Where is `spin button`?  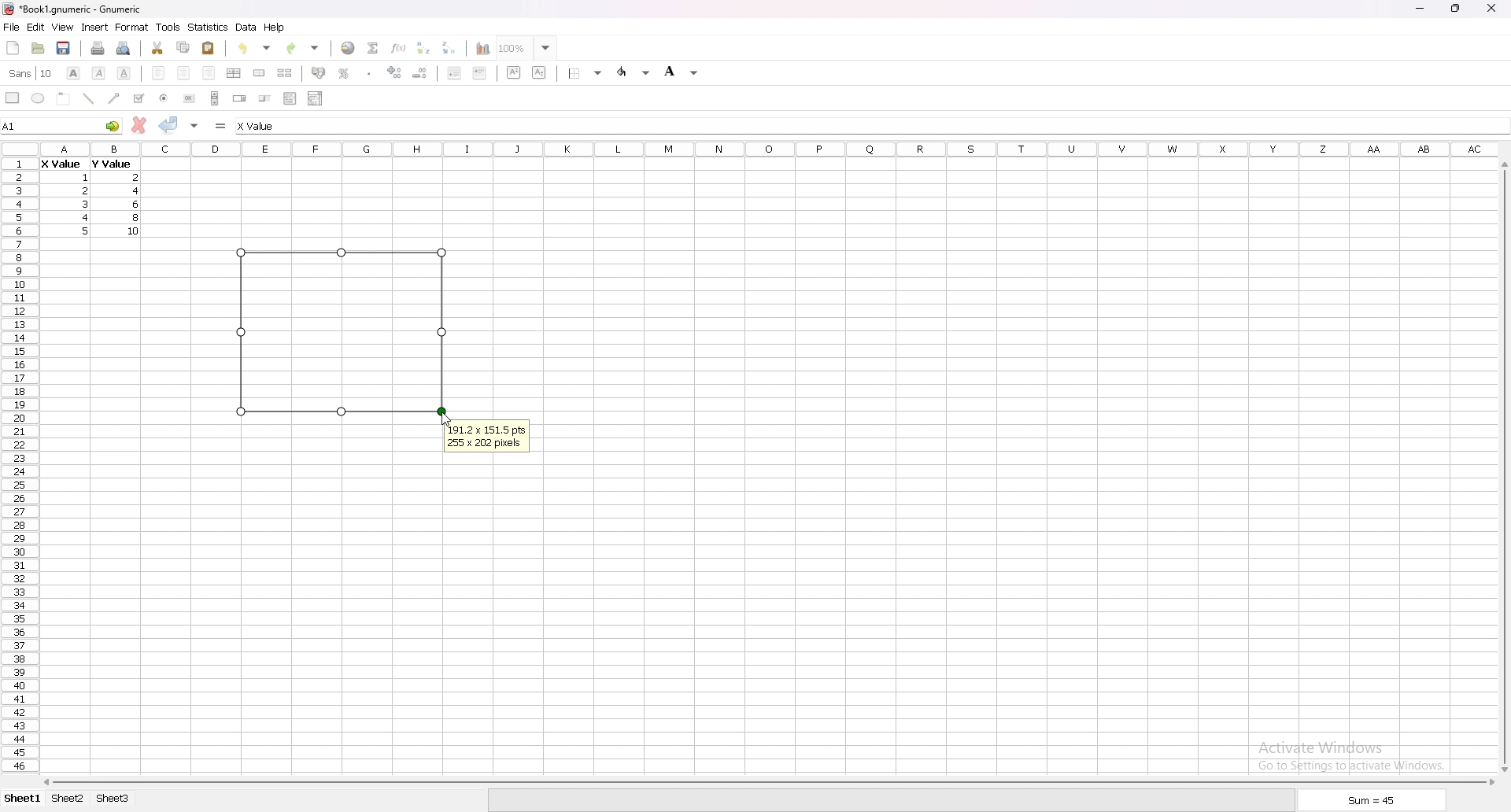
spin button is located at coordinates (240, 98).